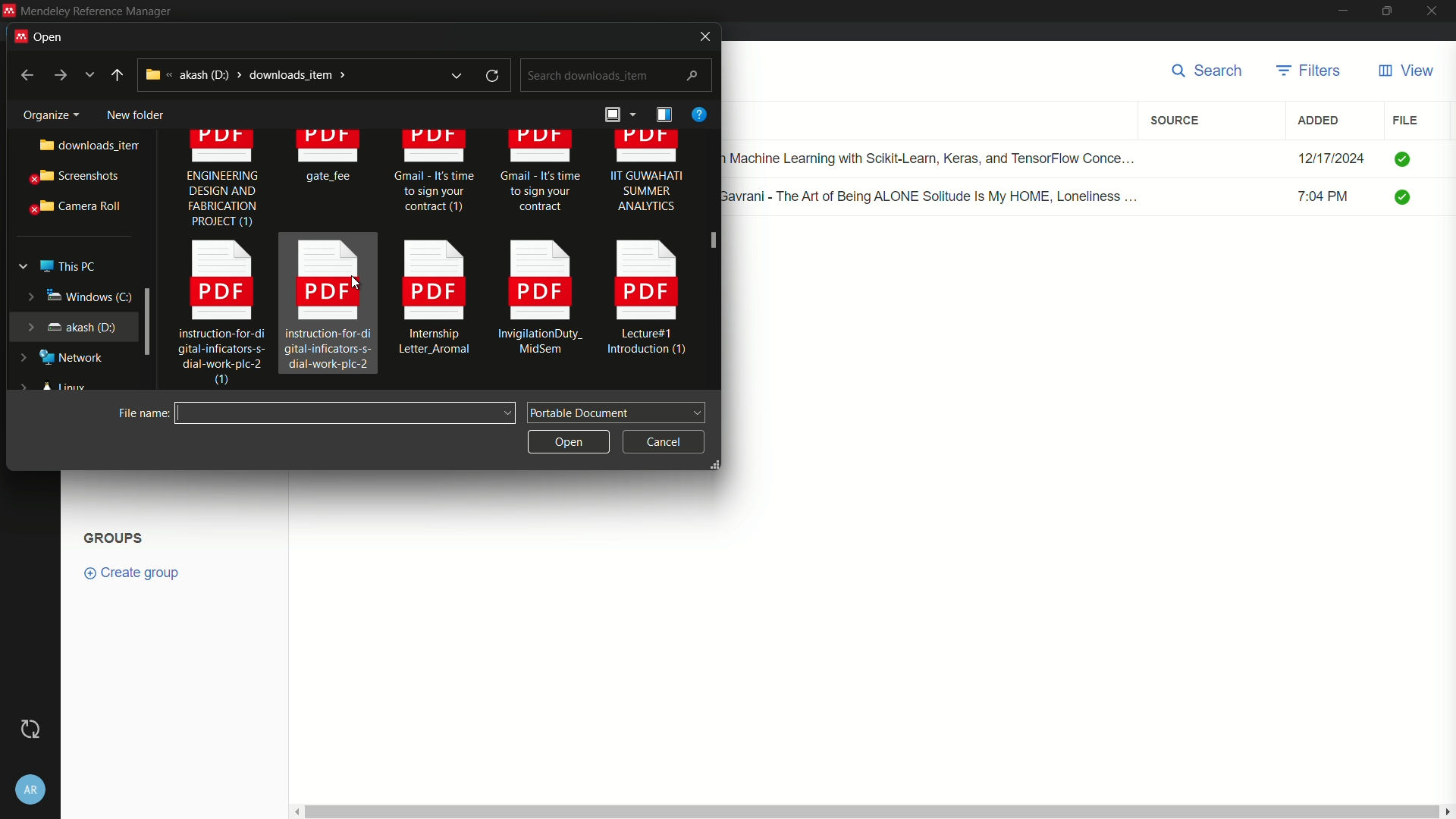  What do you see at coordinates (937, 155) in the screenshot?
I see `Hands-on Machine Learning with Scikit-Learn, Keras, and TensorFlow Conce...` at bounding box center [937, 155].